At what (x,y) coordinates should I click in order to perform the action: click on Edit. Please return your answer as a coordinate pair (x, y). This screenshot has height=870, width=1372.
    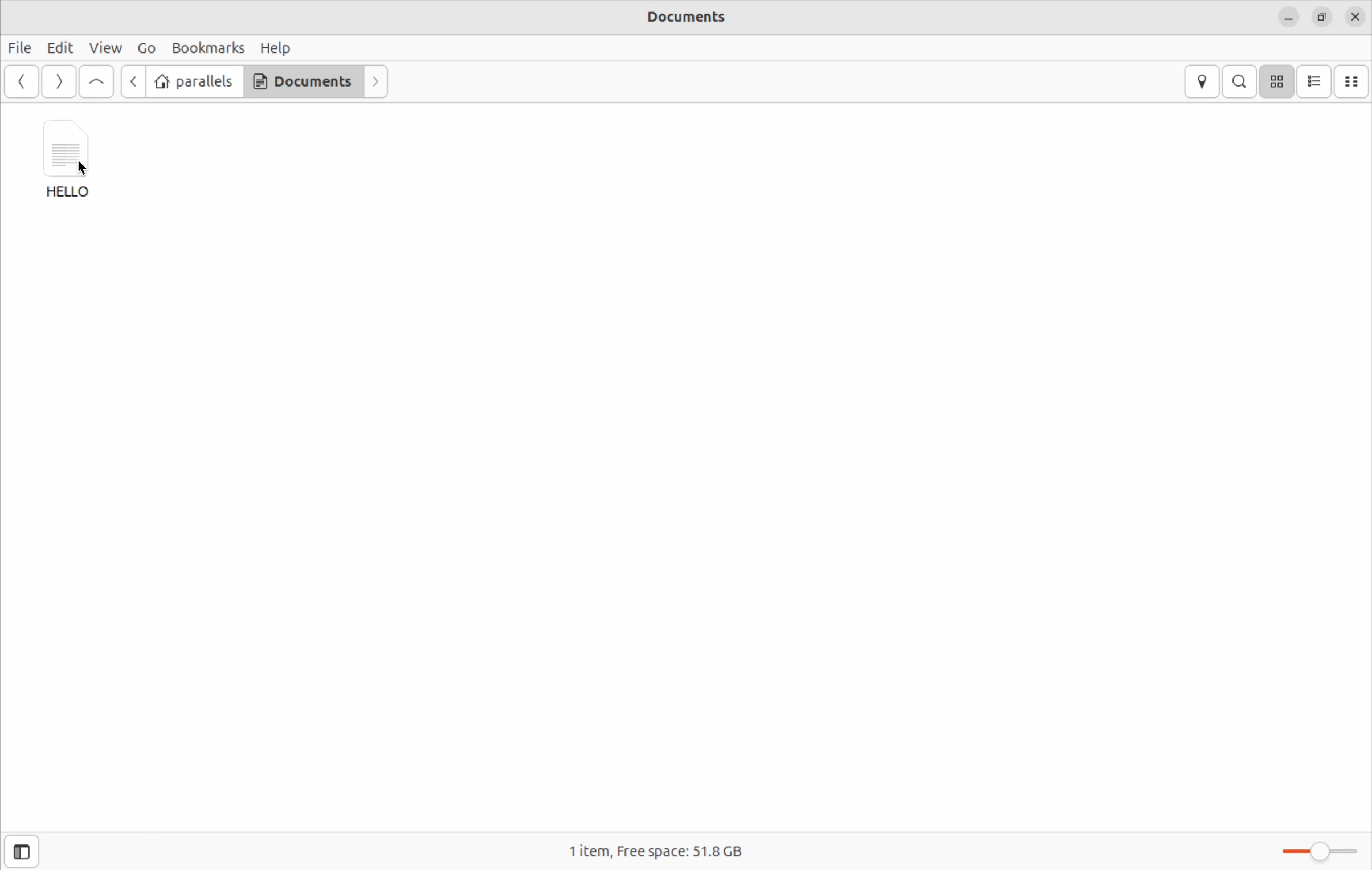
    Looking at the image, I should click on (59, 48).